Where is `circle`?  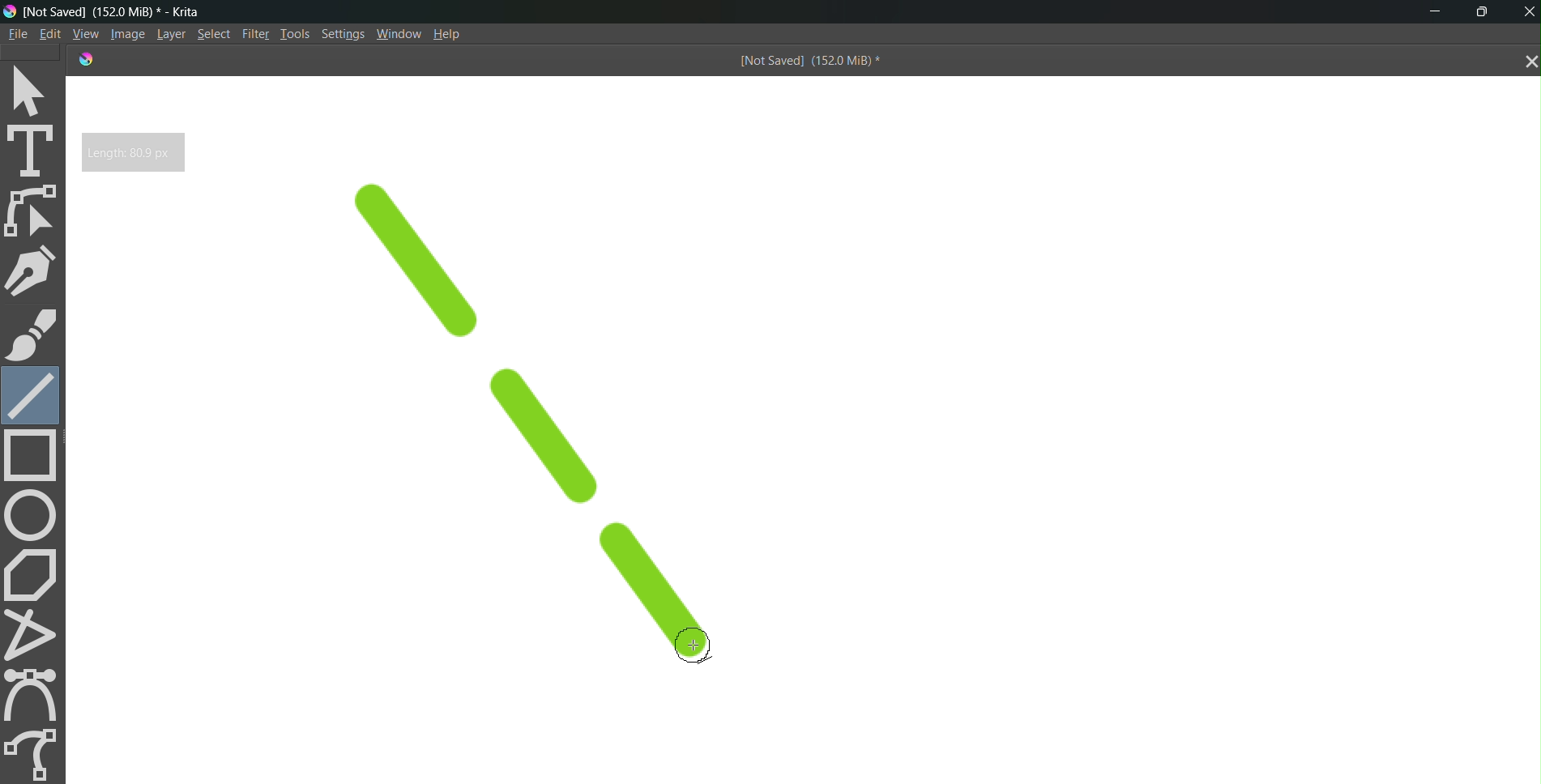
circle is located at coordinates (32, 514).